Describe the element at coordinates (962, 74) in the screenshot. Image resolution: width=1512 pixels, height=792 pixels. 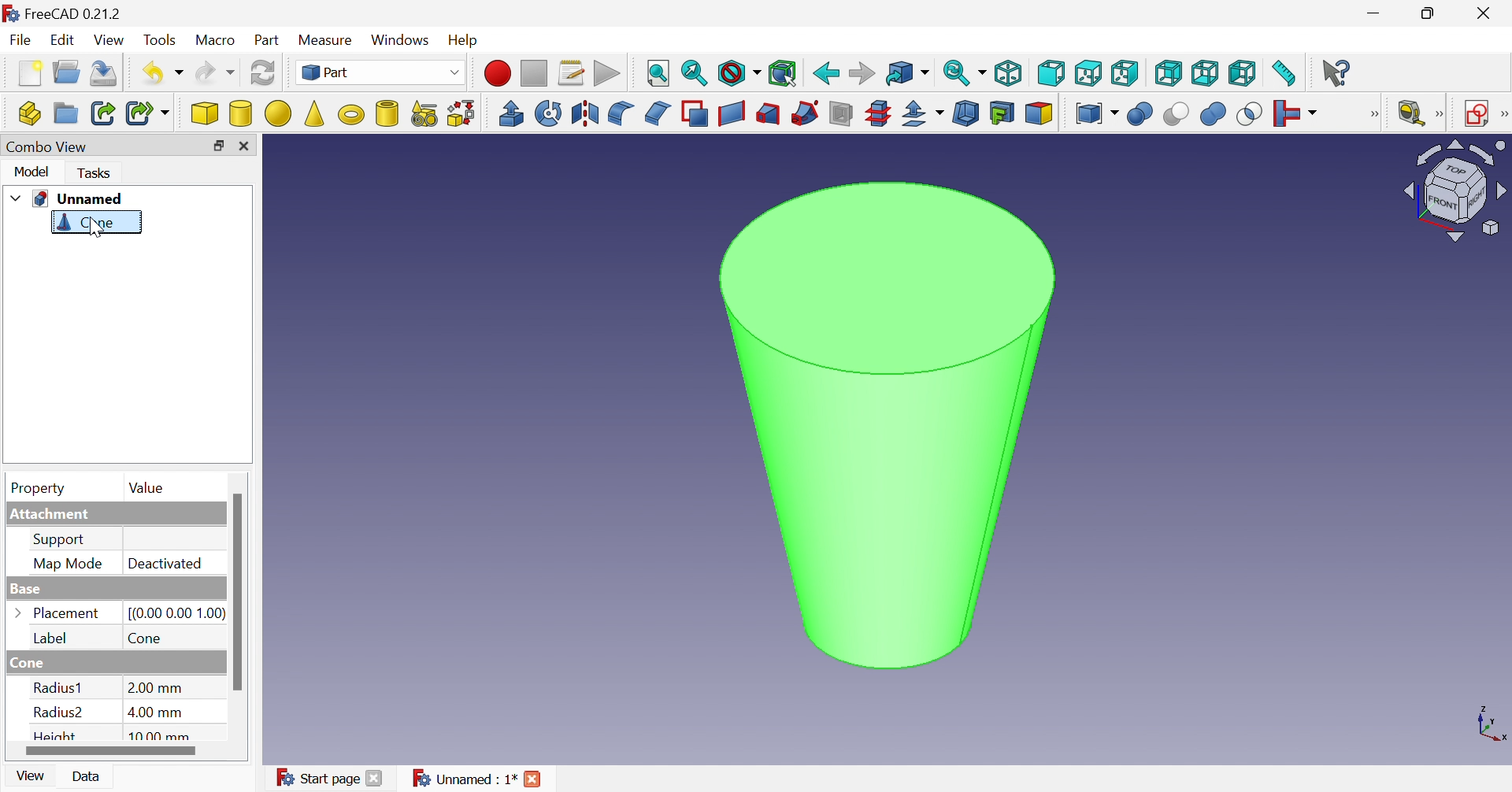
I see `Sync view` at that location.